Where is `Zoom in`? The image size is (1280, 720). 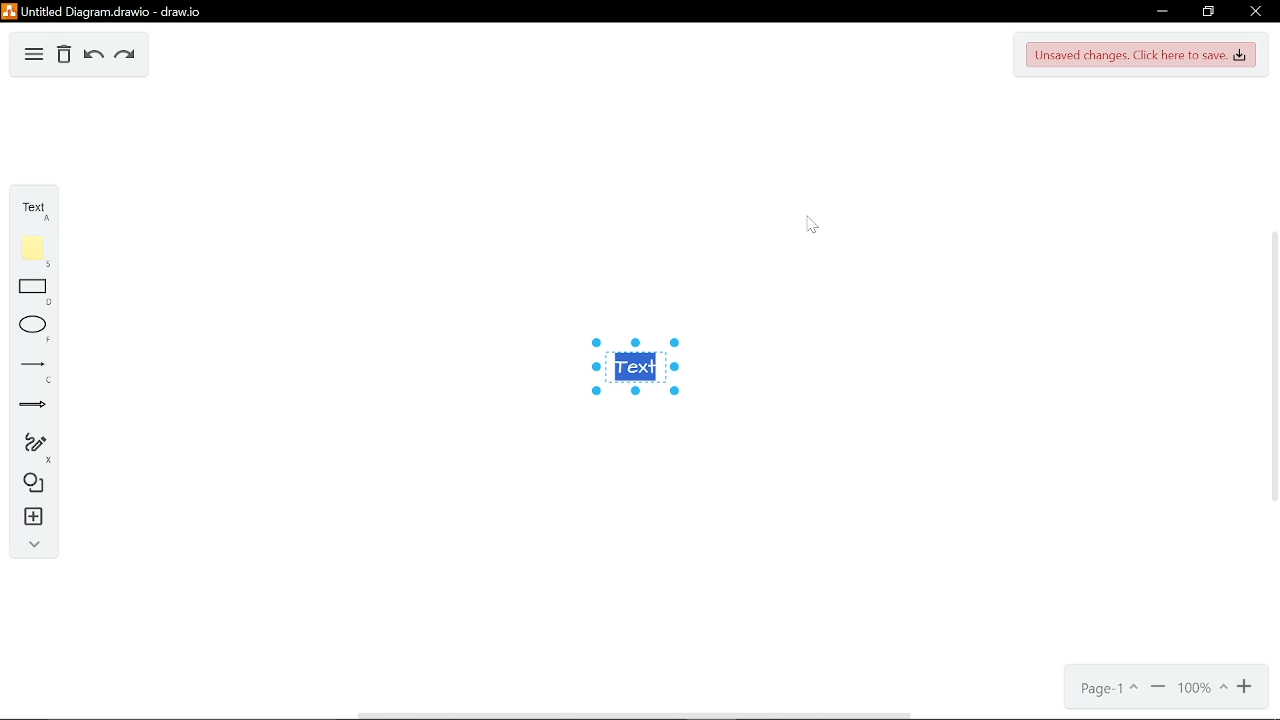 Zoom in is located at coordinates (1247, 687).